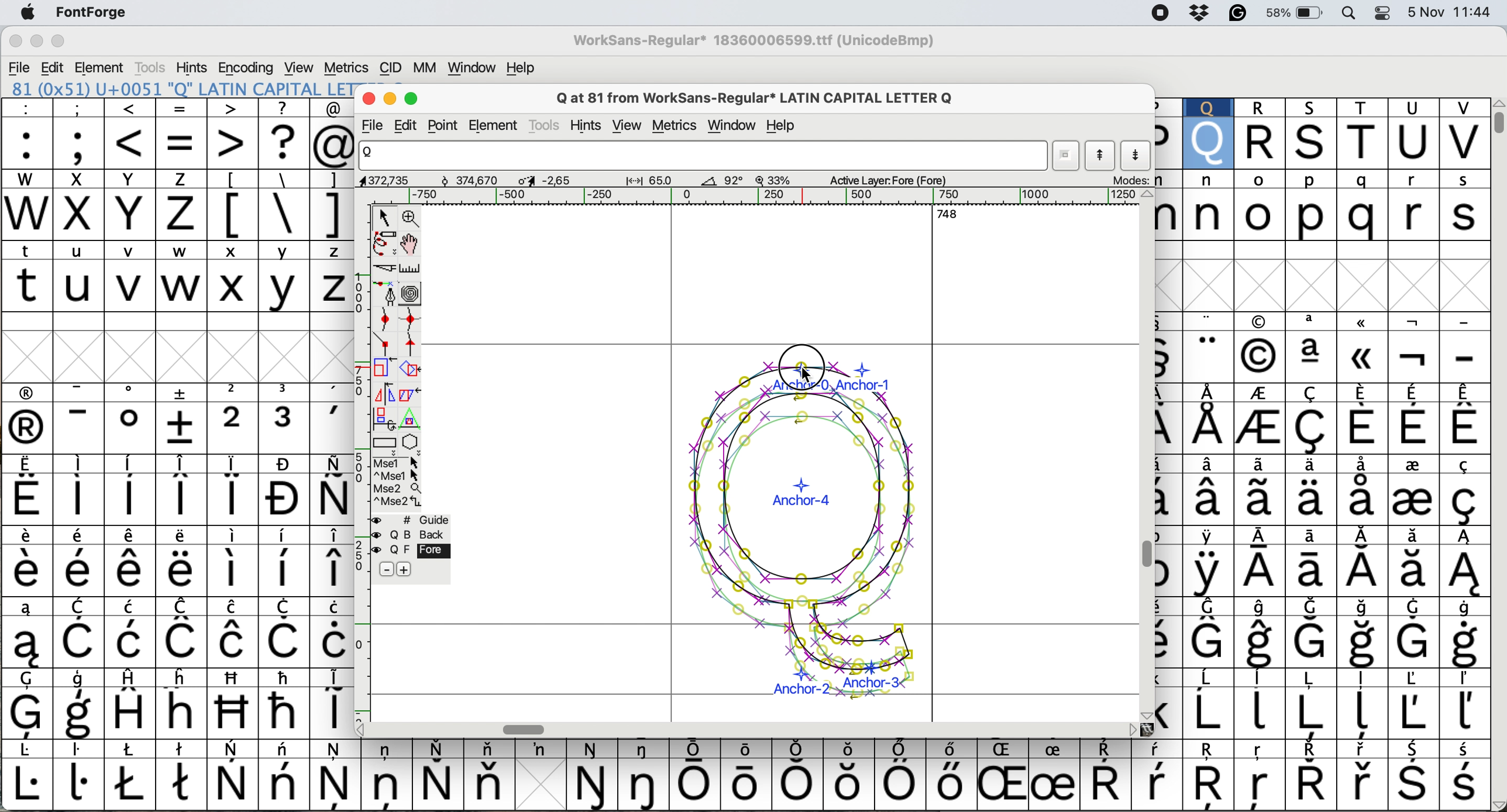 The height and width of the screenshot is (812, 1507). I want to click on special characters, so click(1323, 524).